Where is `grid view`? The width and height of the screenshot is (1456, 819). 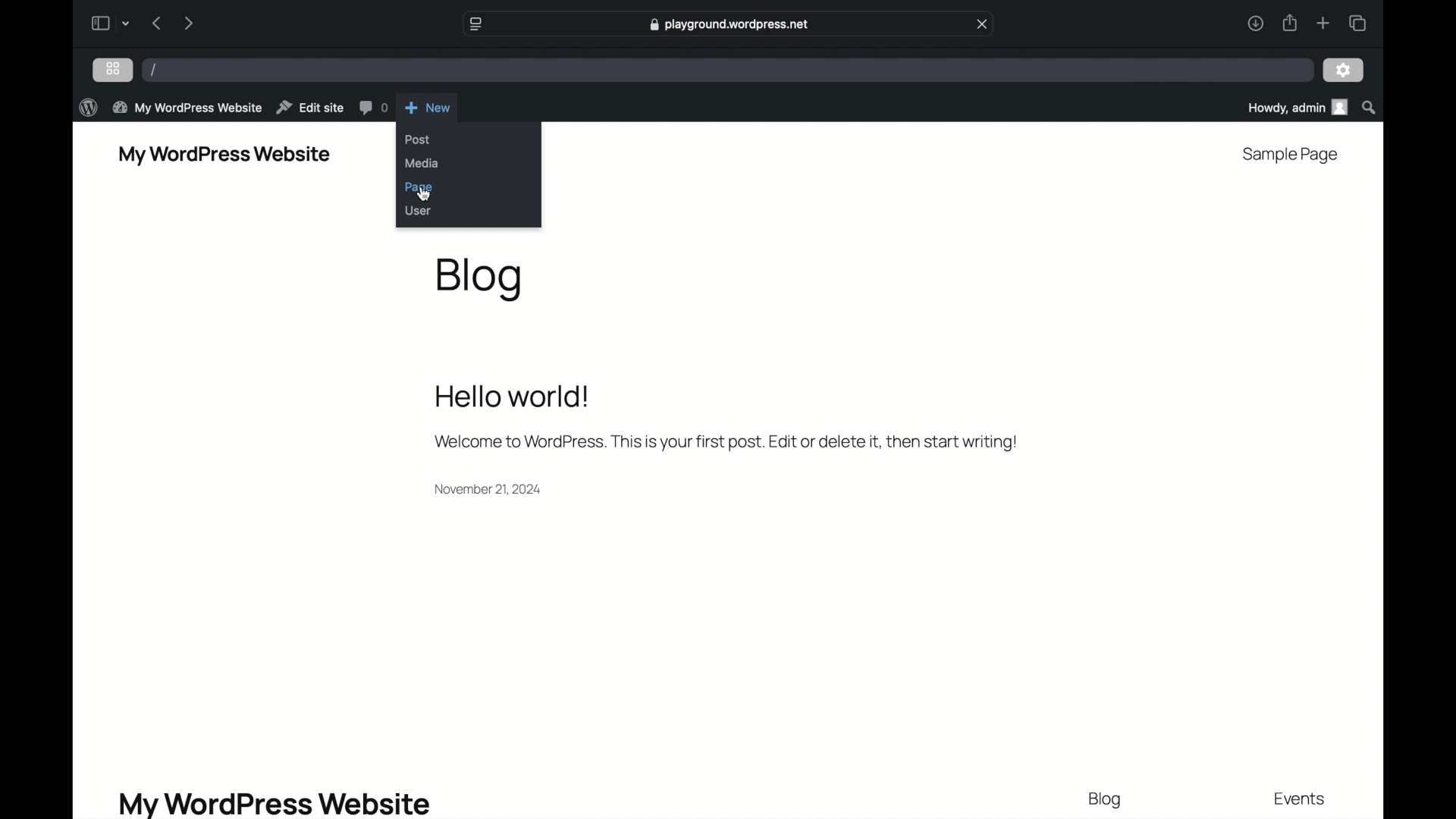 grid view is located at coordinates (113, 69).